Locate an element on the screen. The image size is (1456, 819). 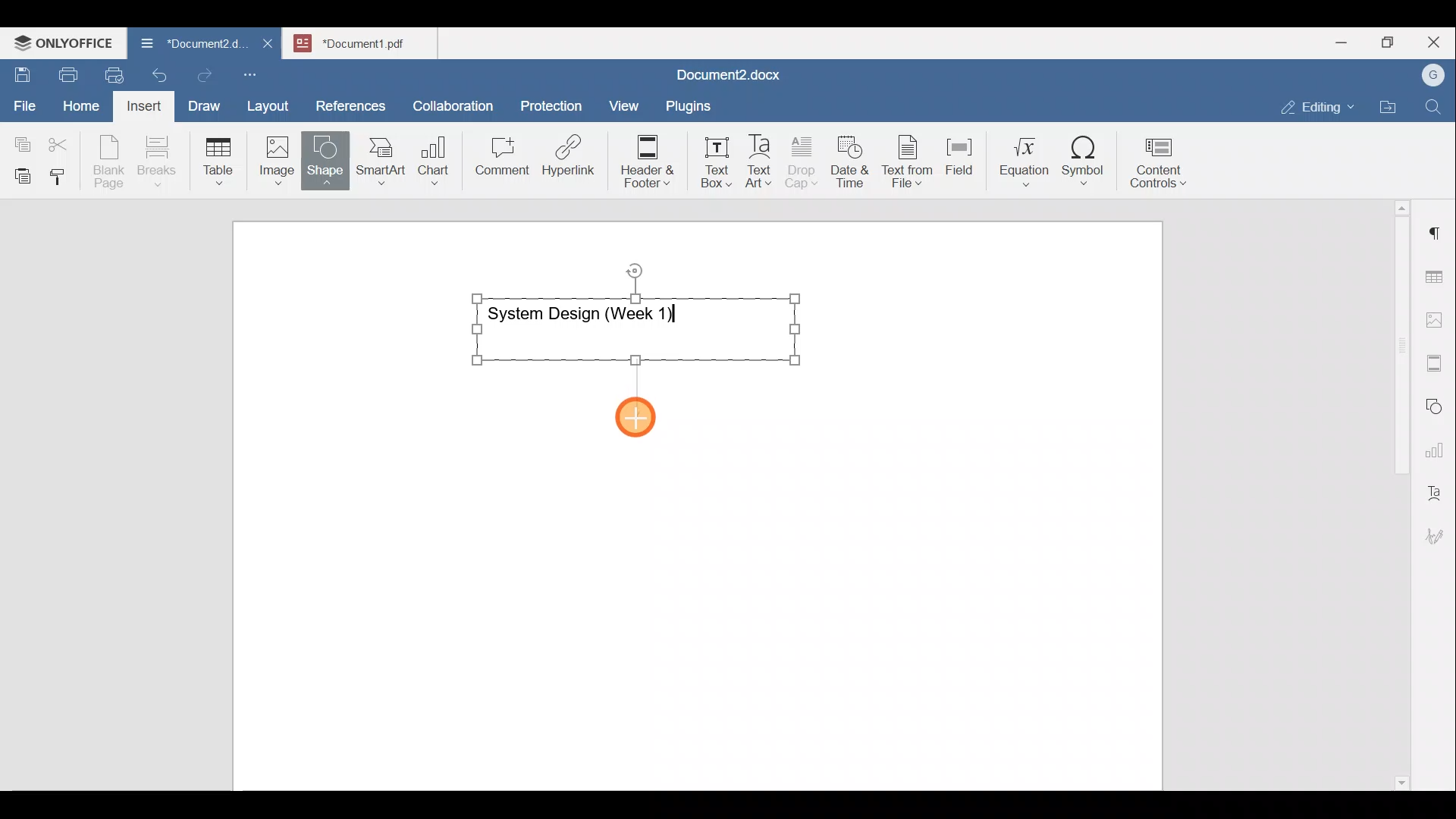
Account name is located at coordinates (1429, 76).